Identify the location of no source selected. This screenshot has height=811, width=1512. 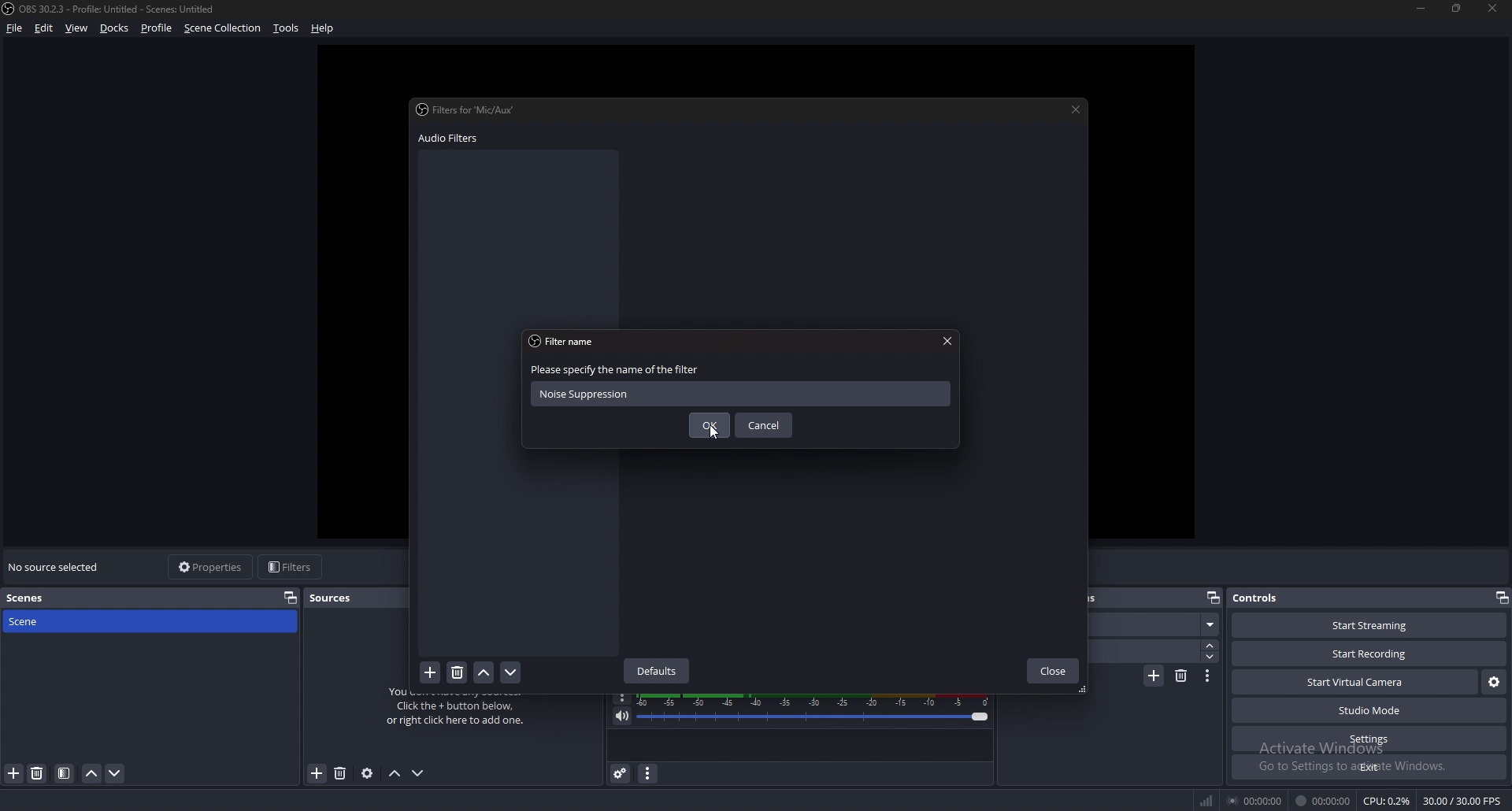
(55, 566).